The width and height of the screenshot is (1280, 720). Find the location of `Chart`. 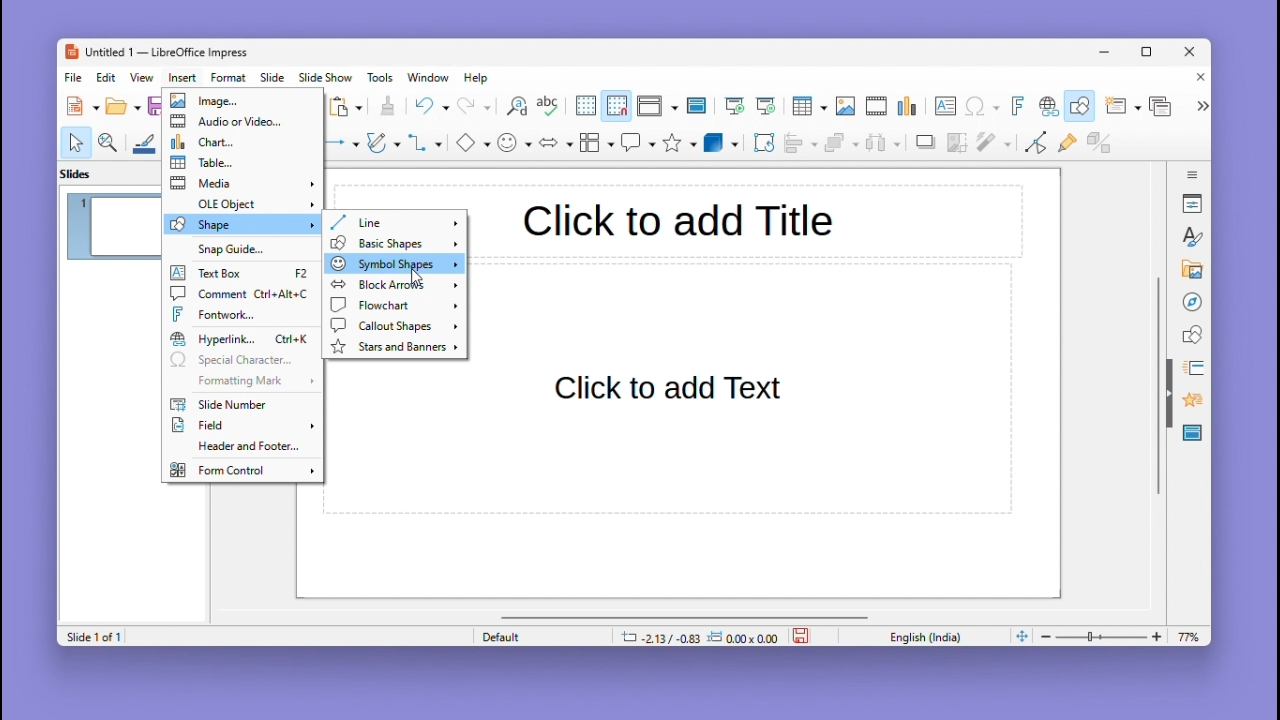

Chart is located at coordinates (241, 141).